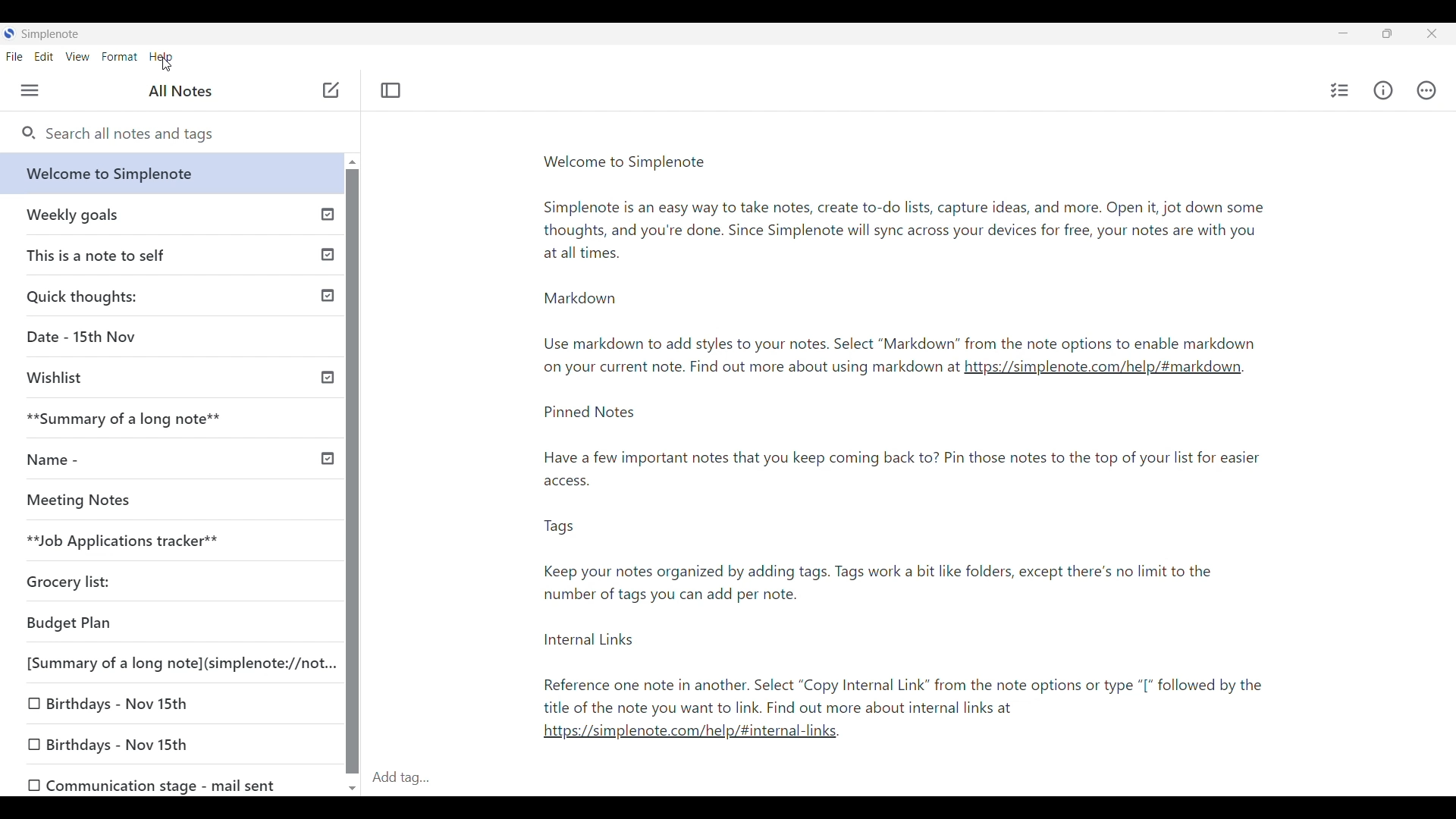  I want to click on Minimize, so click(1343, 33).